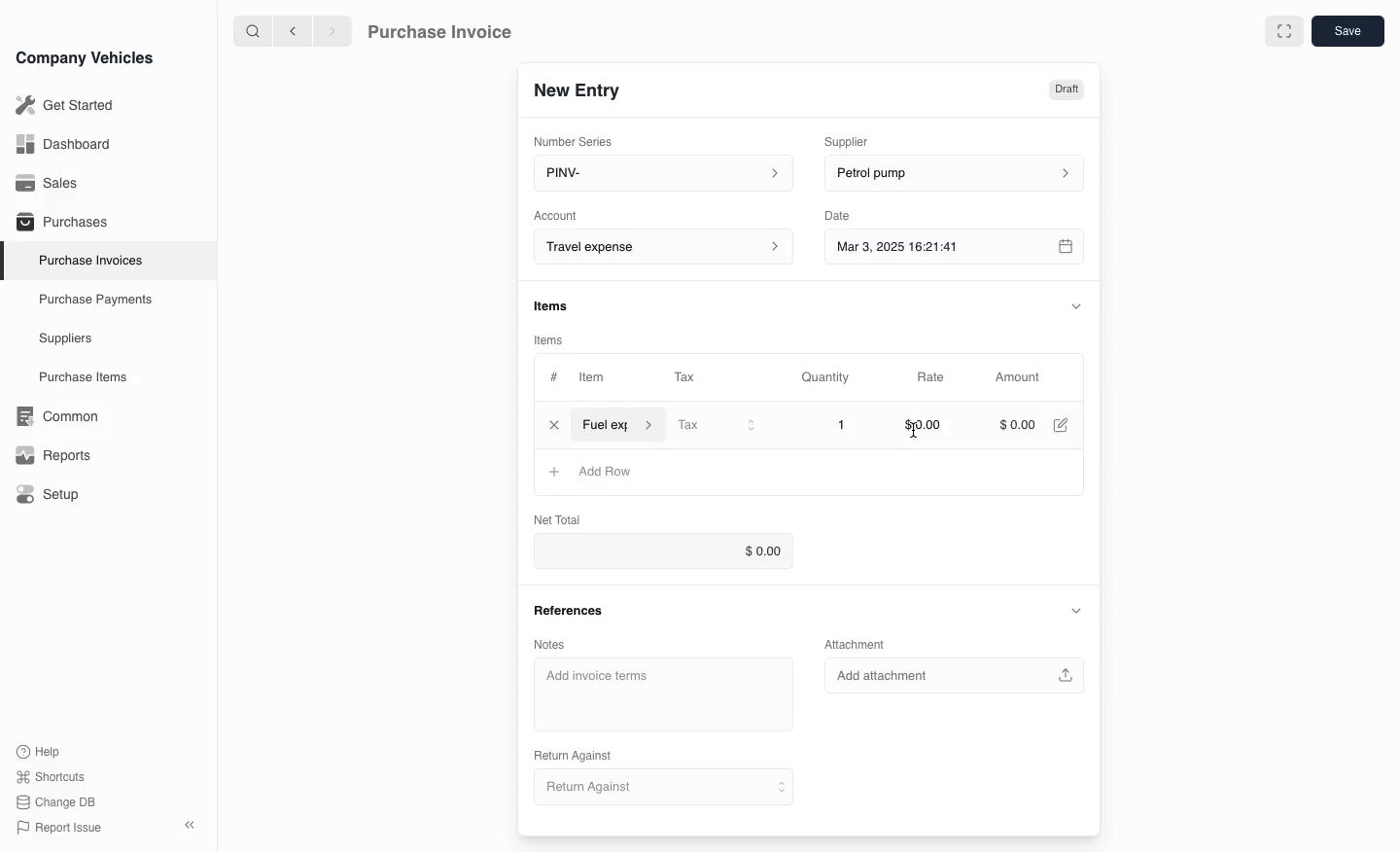 This screenshot has width=1400, height=852. I want to click on edit, so click(1063, 426).